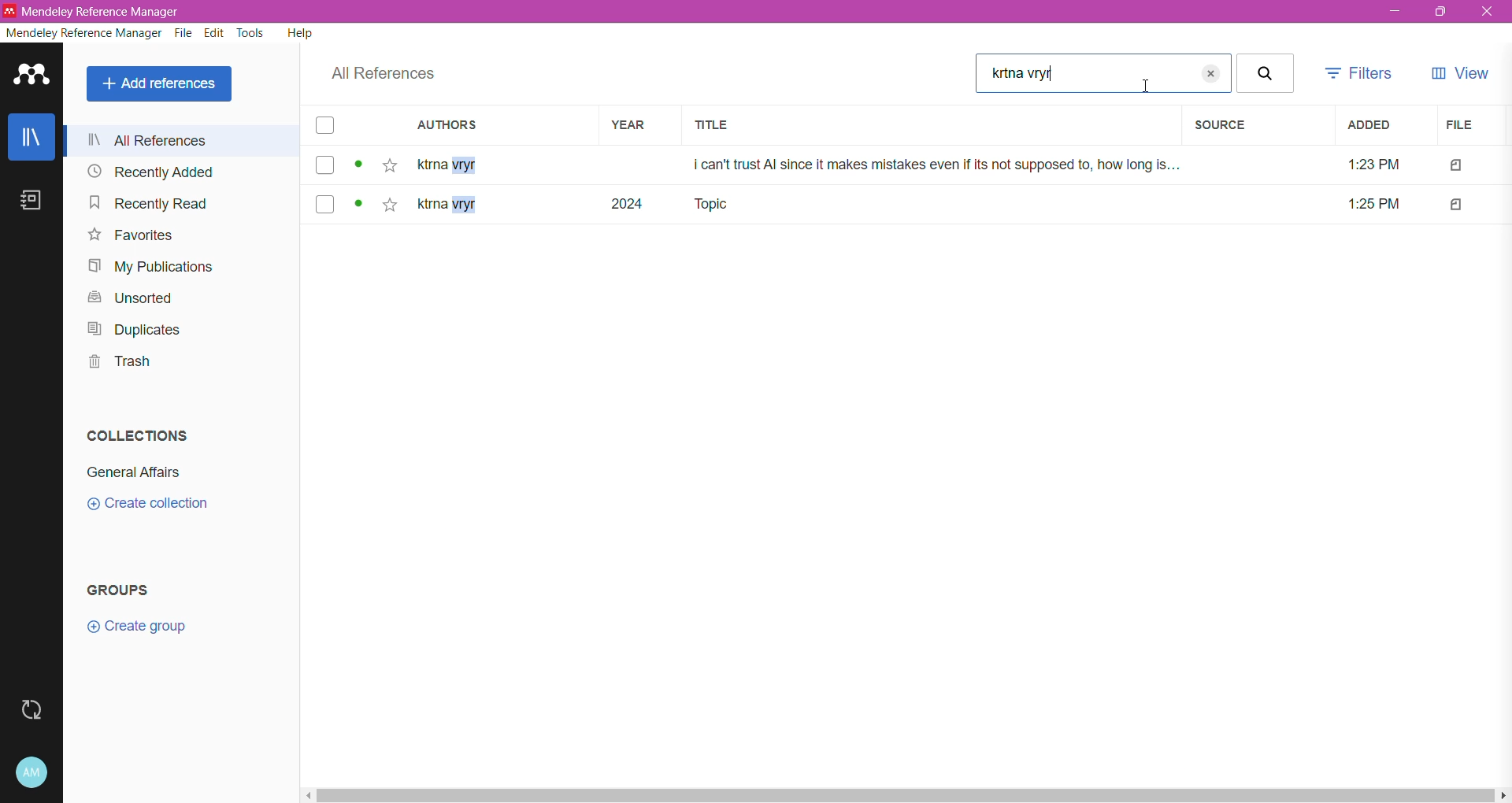 This screenshot has height=803, width=1512. What do you see at coordinates (1149, 87) in the screenshot?
I see `Cursor` at bounding box center [1149, 87].